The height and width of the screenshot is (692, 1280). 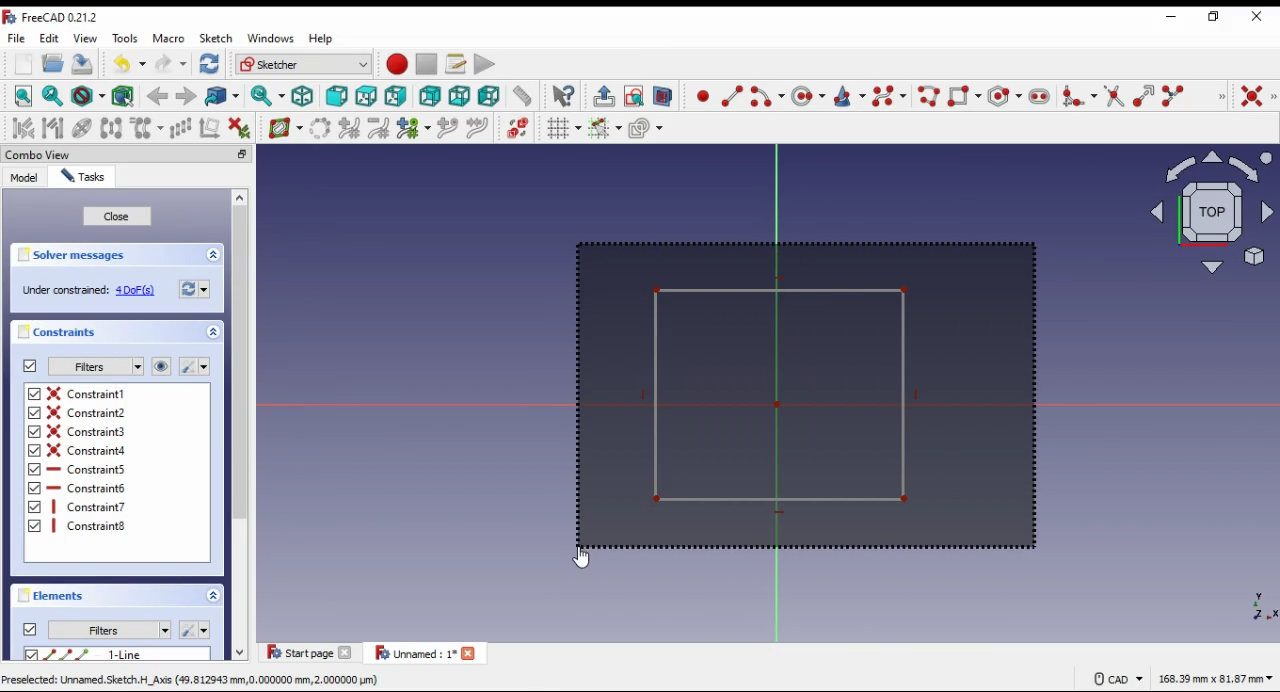 I want to click on checkbox, so click(x=31, y=655).